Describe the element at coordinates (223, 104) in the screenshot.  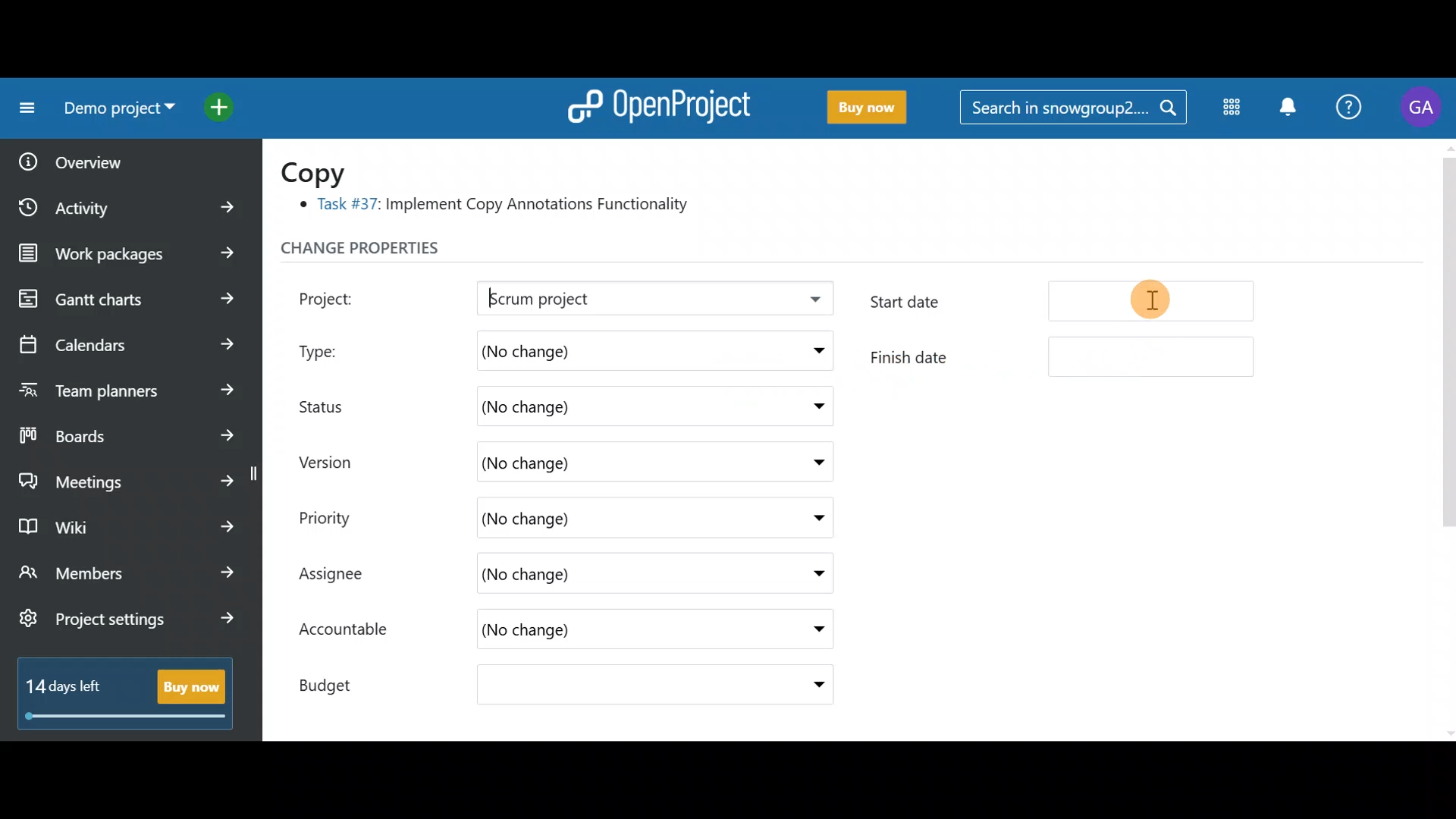
I see `Open quick add menu` at that location.